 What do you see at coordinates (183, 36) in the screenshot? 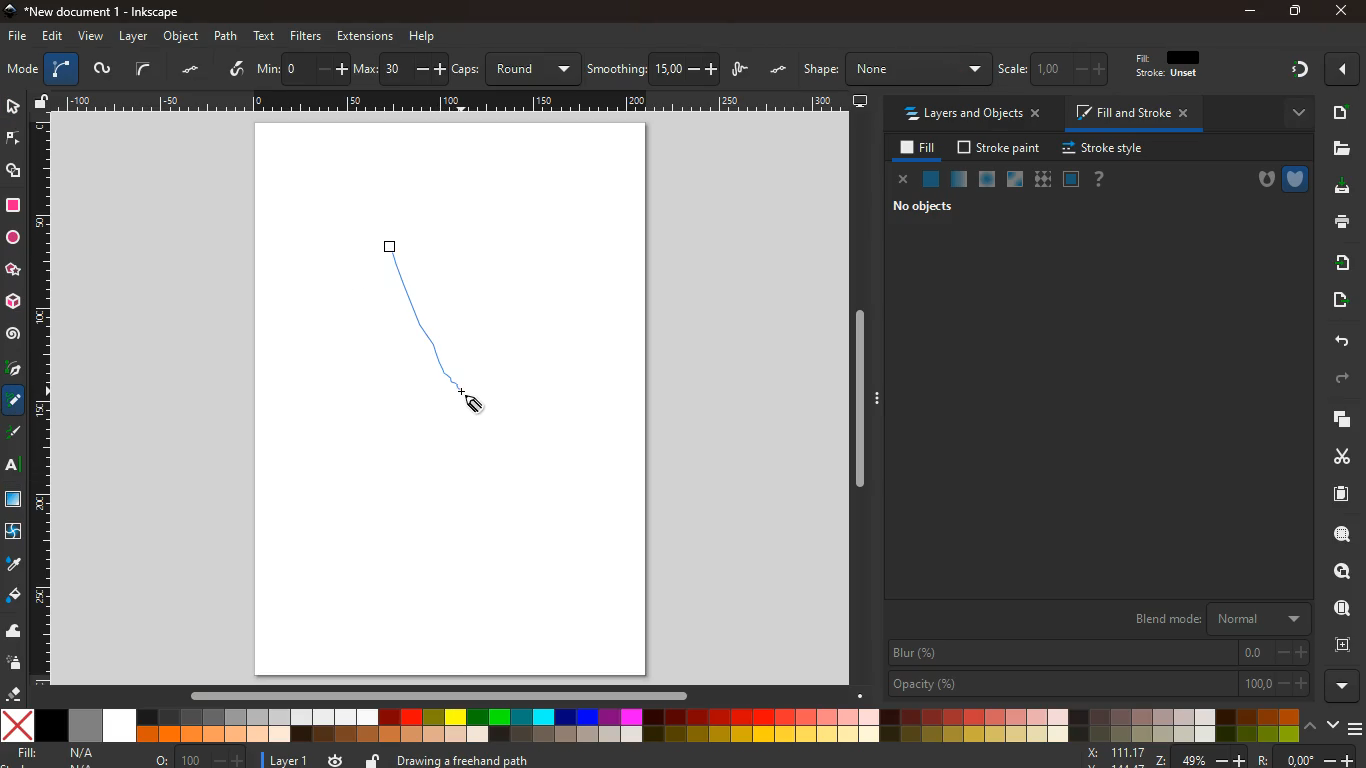
I see `object` at bounding box center [183, 36].